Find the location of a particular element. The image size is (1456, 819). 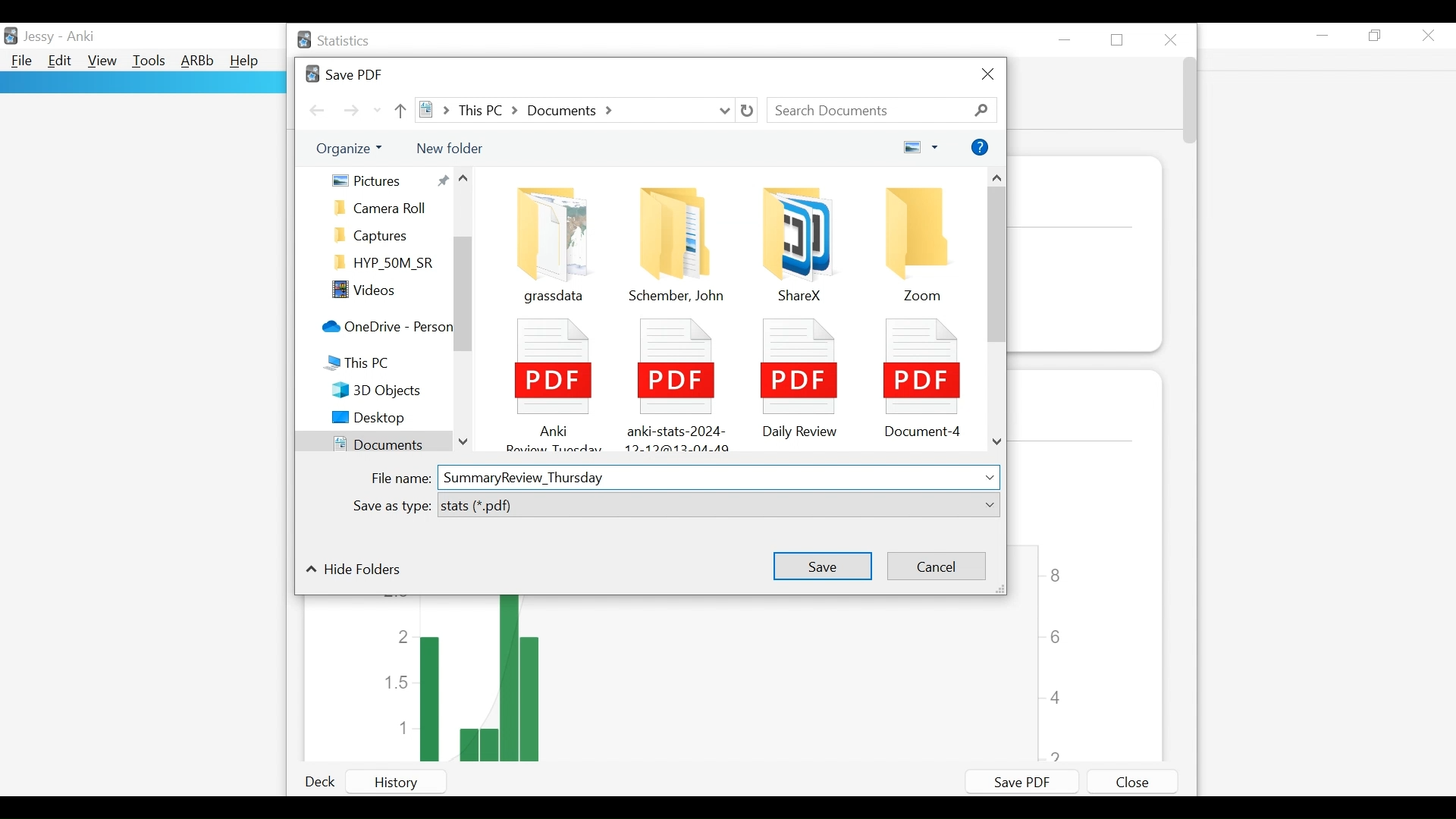

3D Objects is located at coordinates (388, 391).